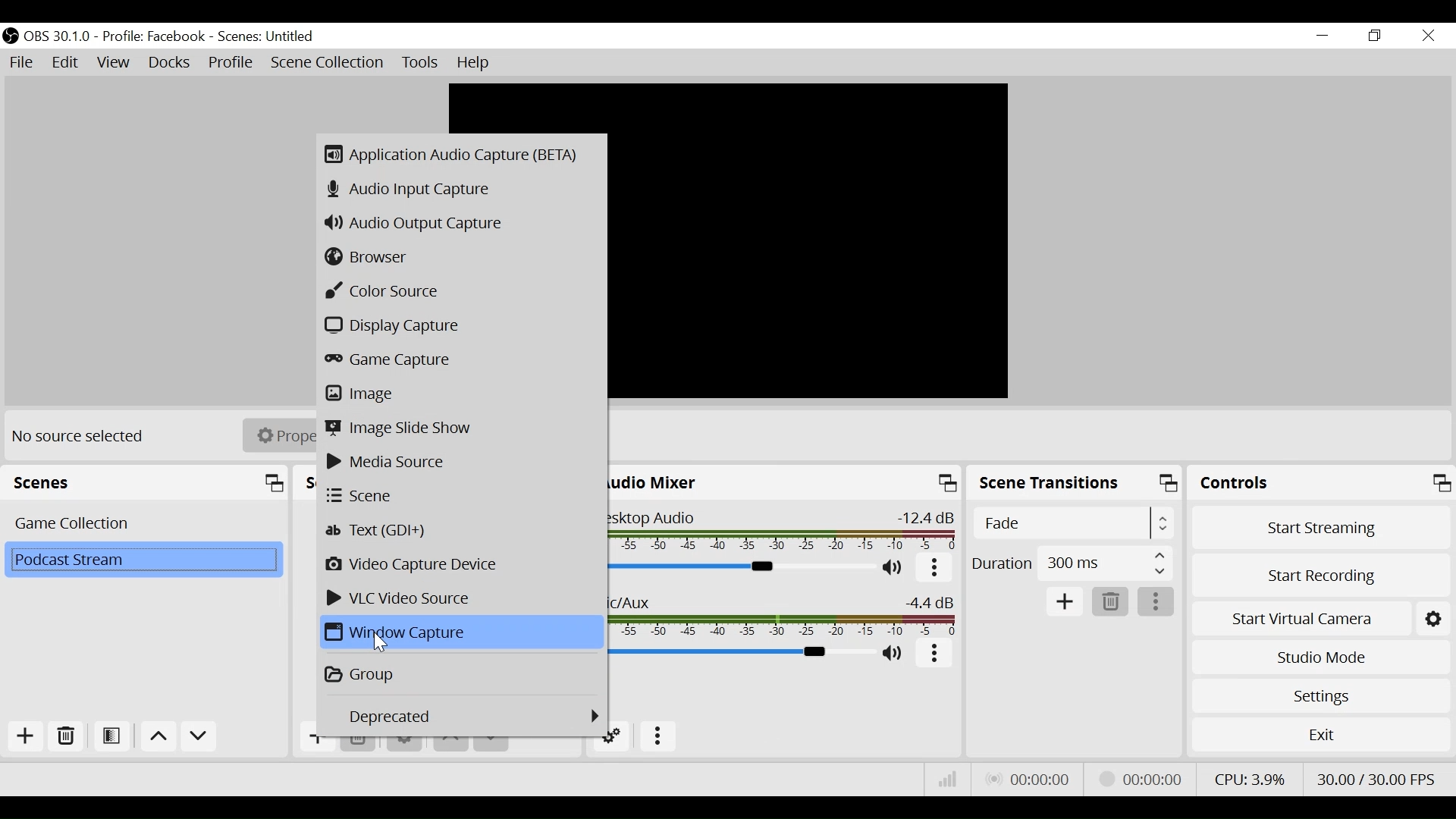  I want to click on Scene Collection, so click(327, 63).